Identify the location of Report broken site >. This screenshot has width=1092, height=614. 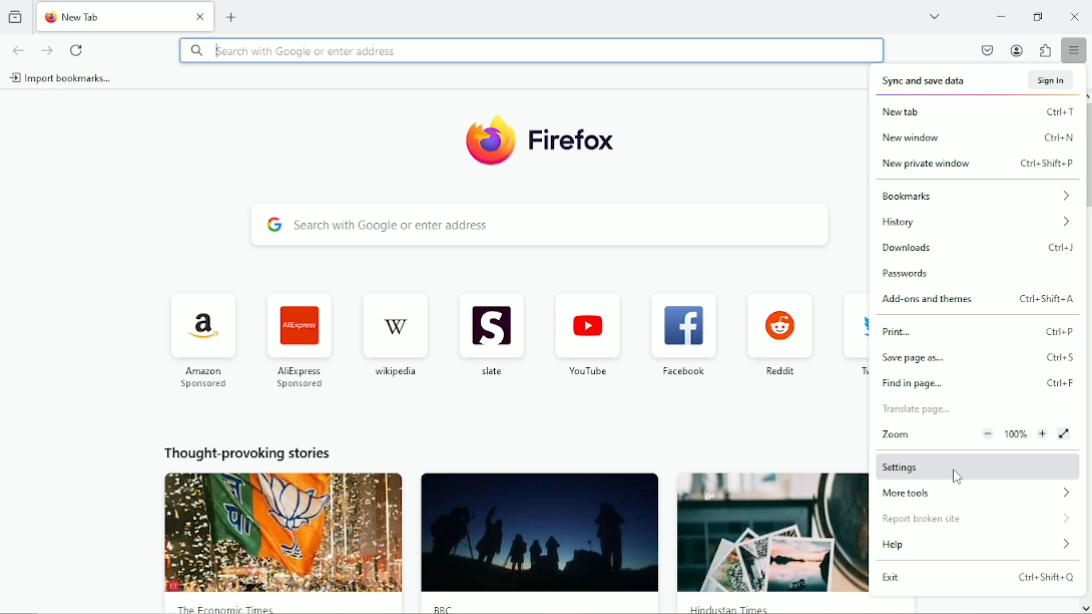
(976, 519).